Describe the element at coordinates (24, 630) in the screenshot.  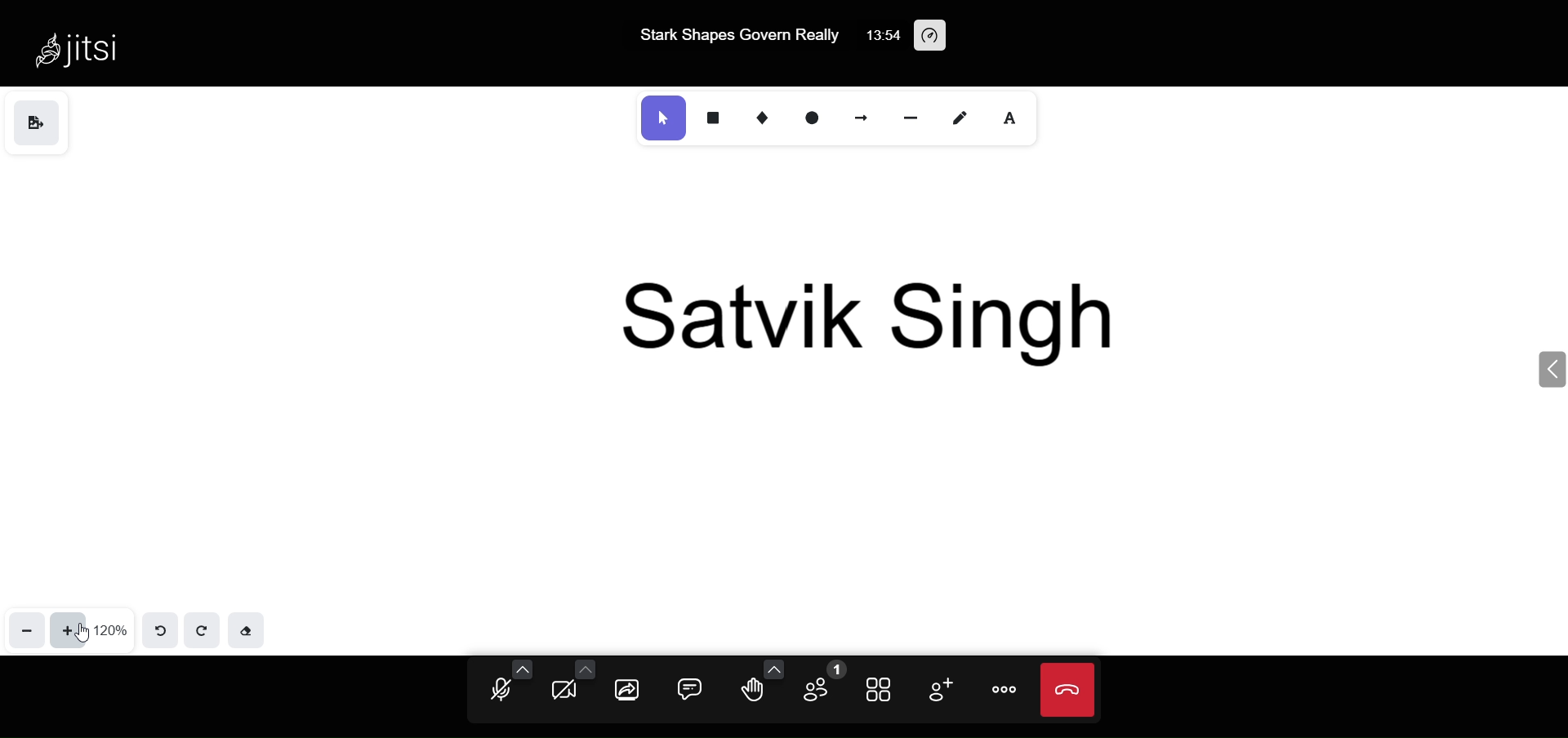
I see `zoom out` at that location.